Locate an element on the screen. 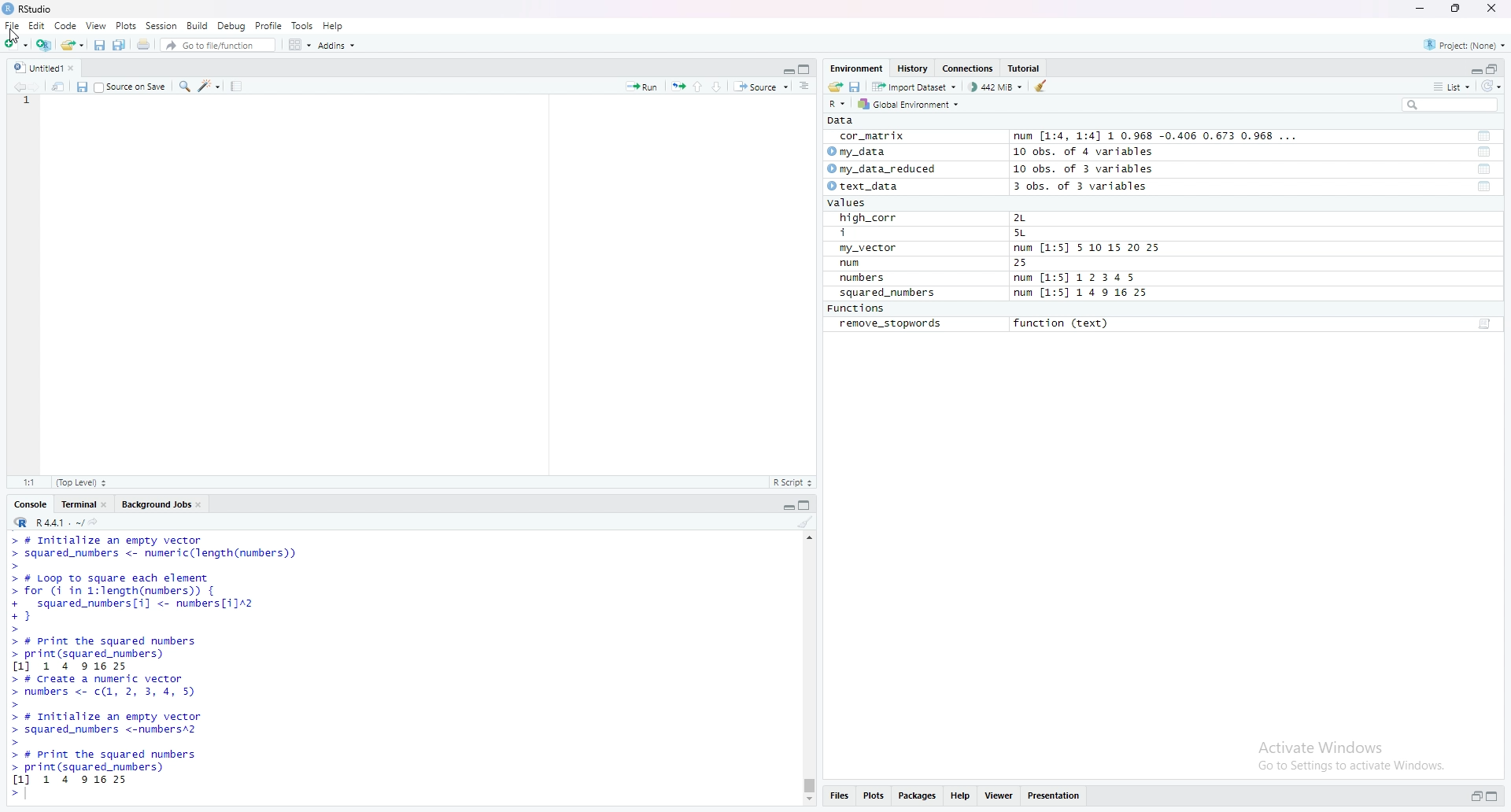 The width and height of the screenshot is (1511, 812). Profile is located at coordinates (268, 25).